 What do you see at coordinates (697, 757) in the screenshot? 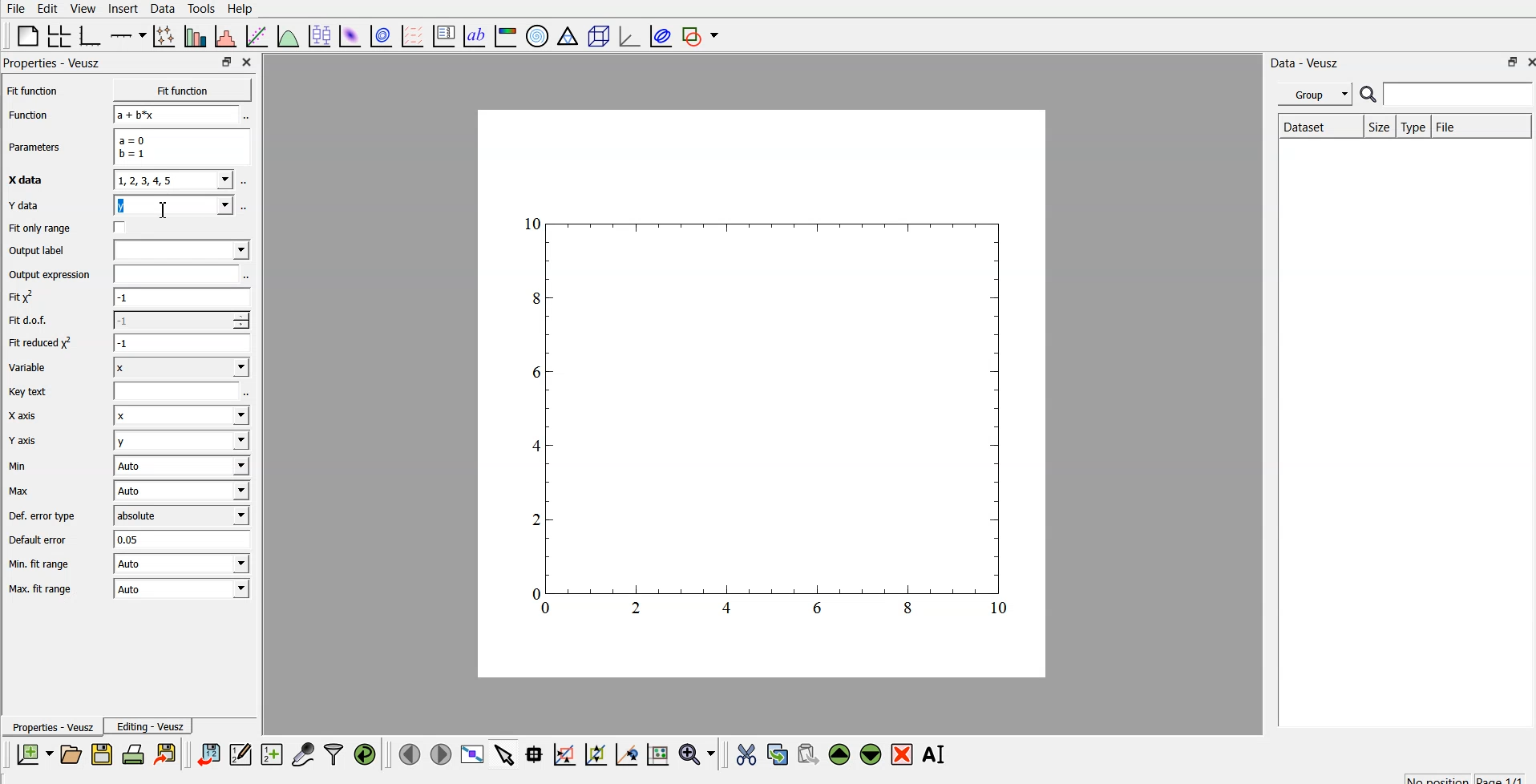
I see `zoom functions menu` at bounding box center [697, 757].